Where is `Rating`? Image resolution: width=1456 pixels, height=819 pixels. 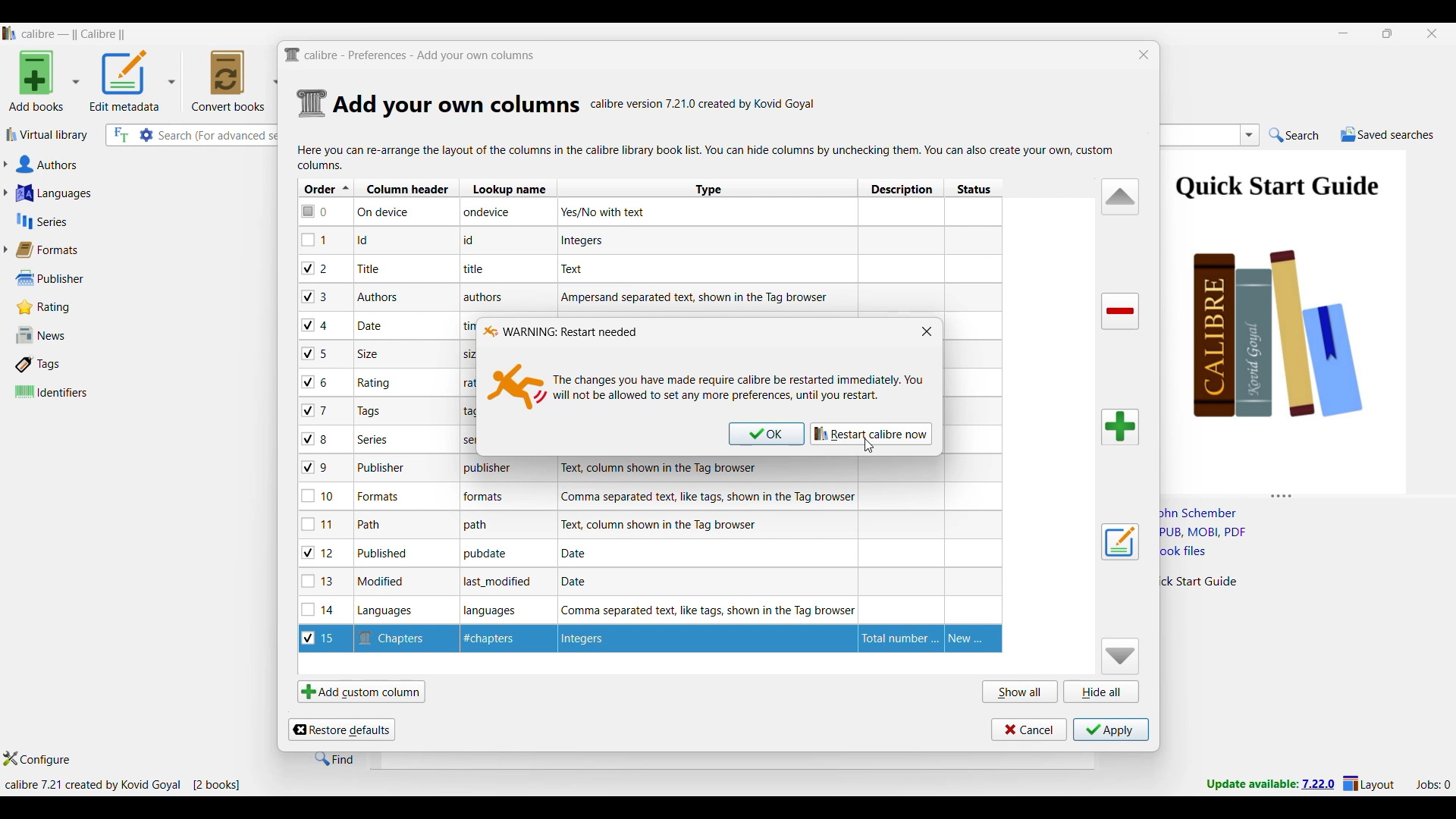 Rating is located at coordinates (52, 307).